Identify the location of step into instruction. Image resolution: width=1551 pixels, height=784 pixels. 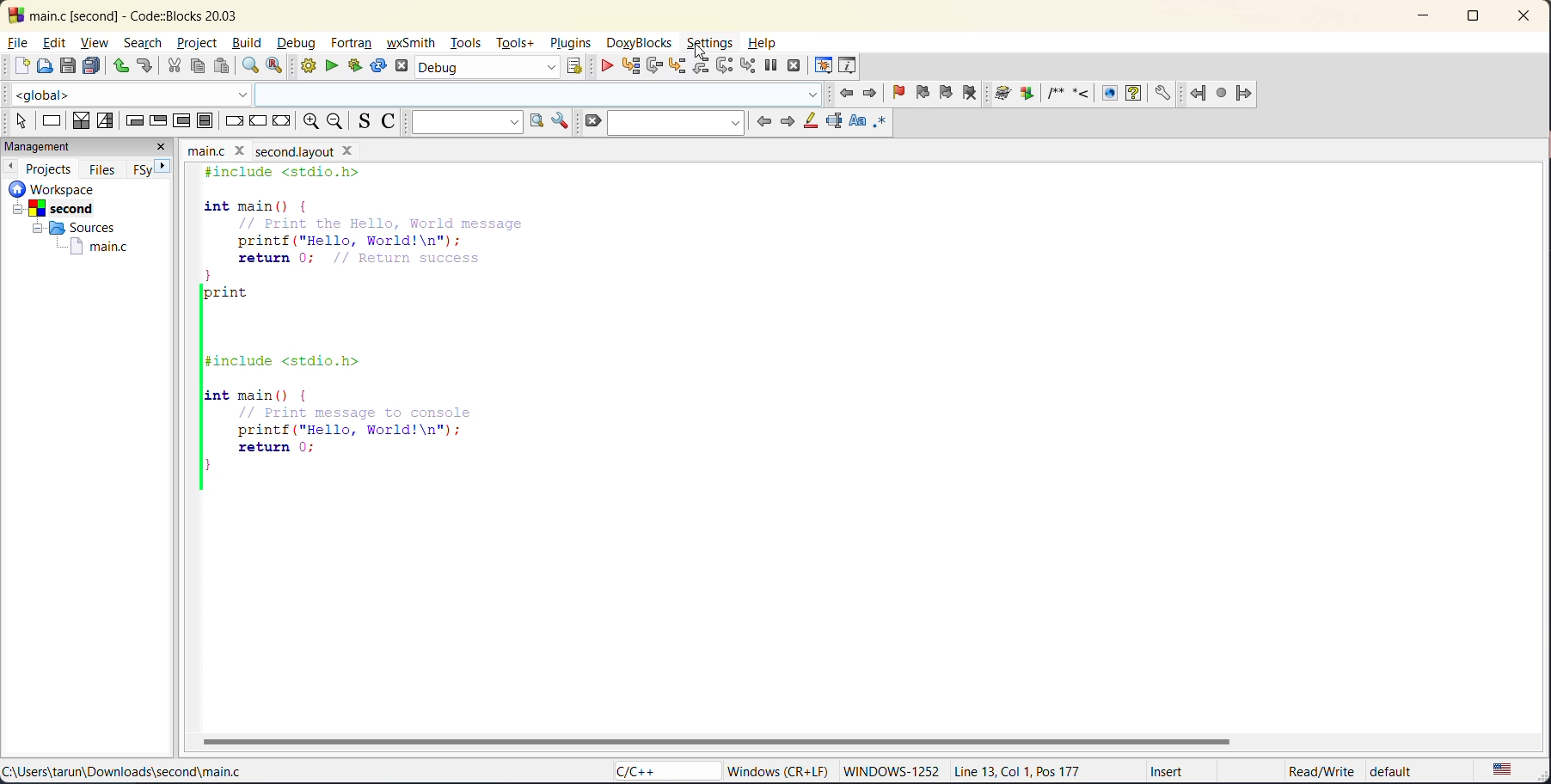
(750, 65).